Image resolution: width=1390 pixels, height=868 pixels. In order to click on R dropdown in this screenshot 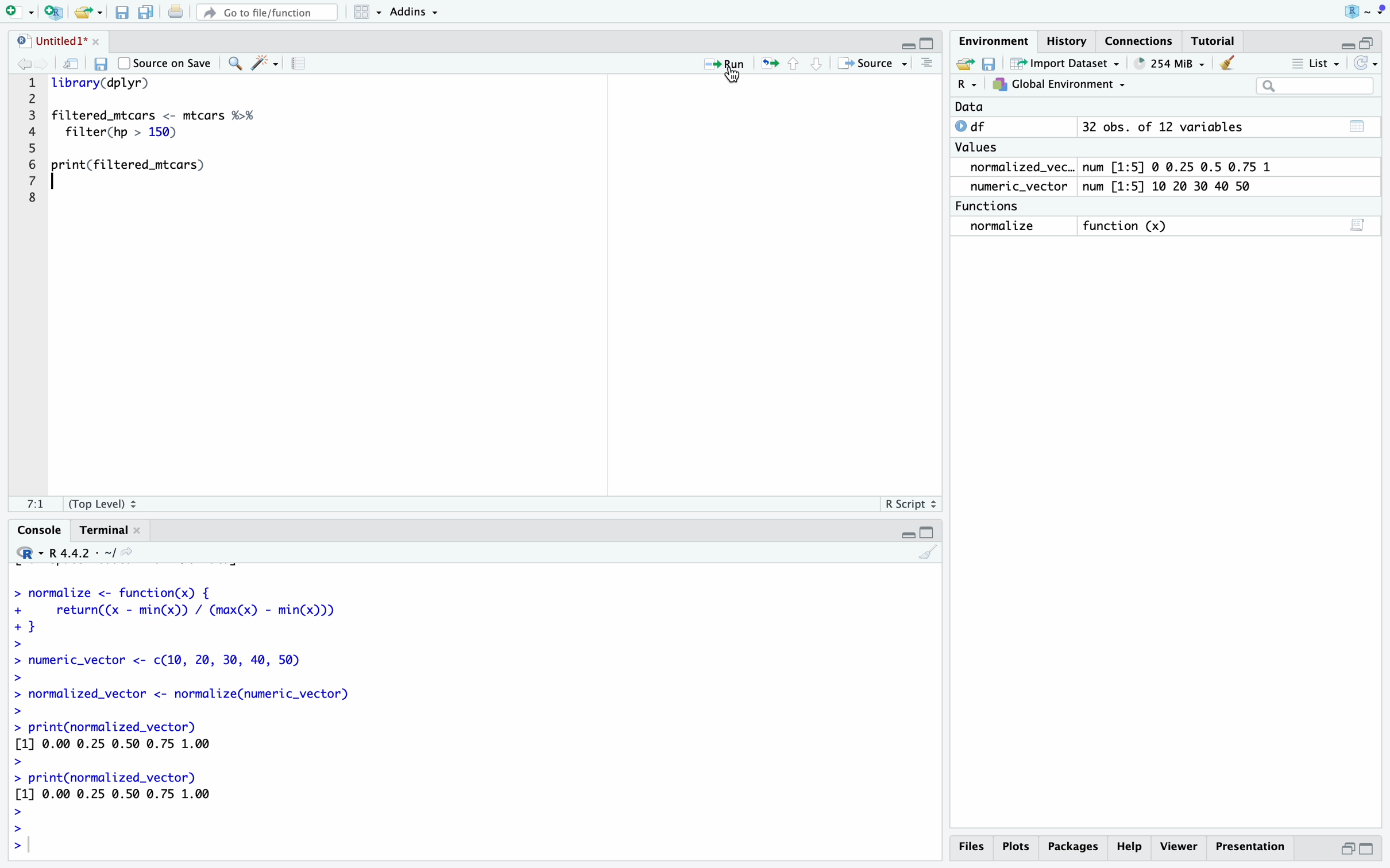, I will do `click(967, 84)`.